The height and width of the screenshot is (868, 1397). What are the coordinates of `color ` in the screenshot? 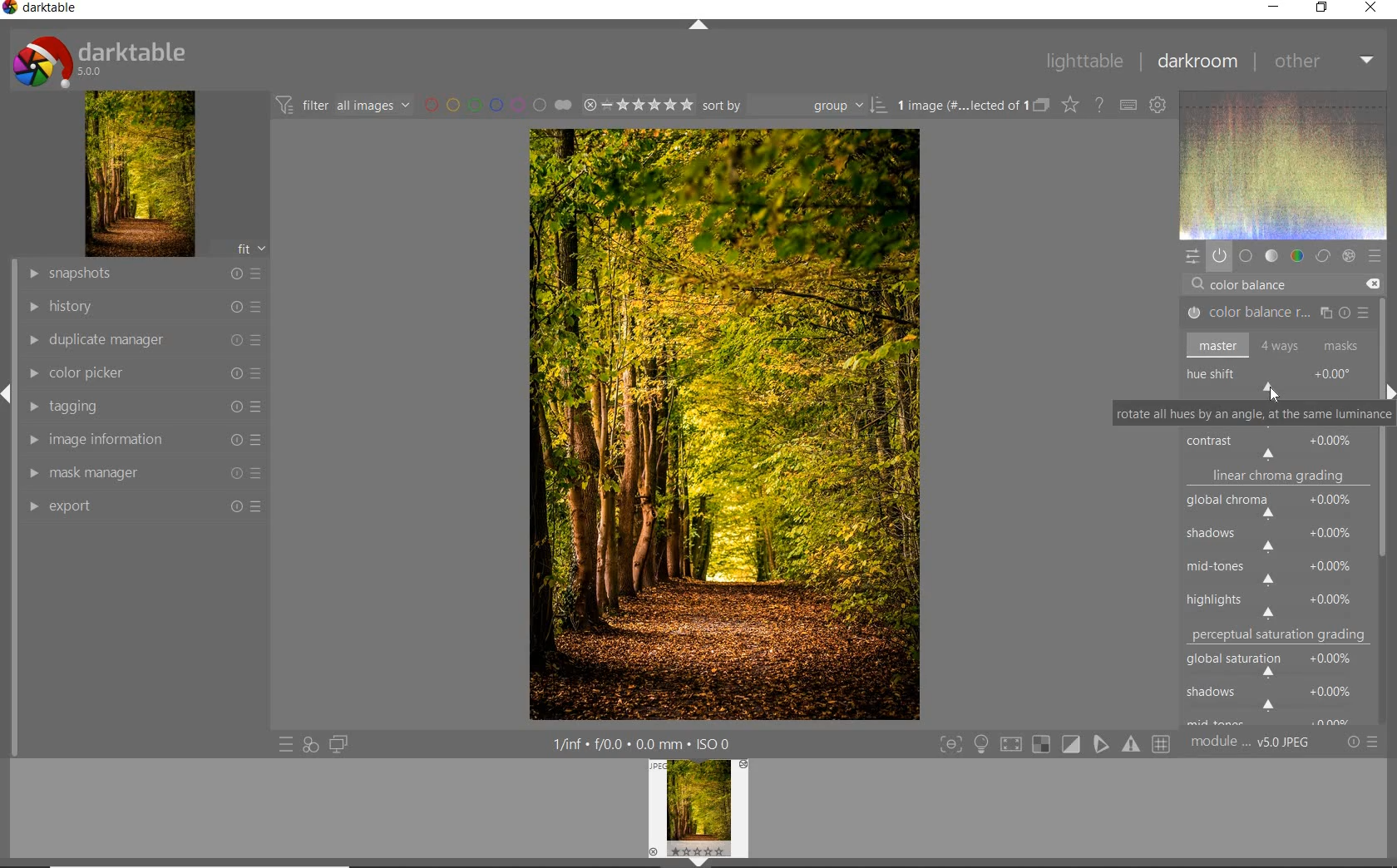 It's located at (1296, 256).